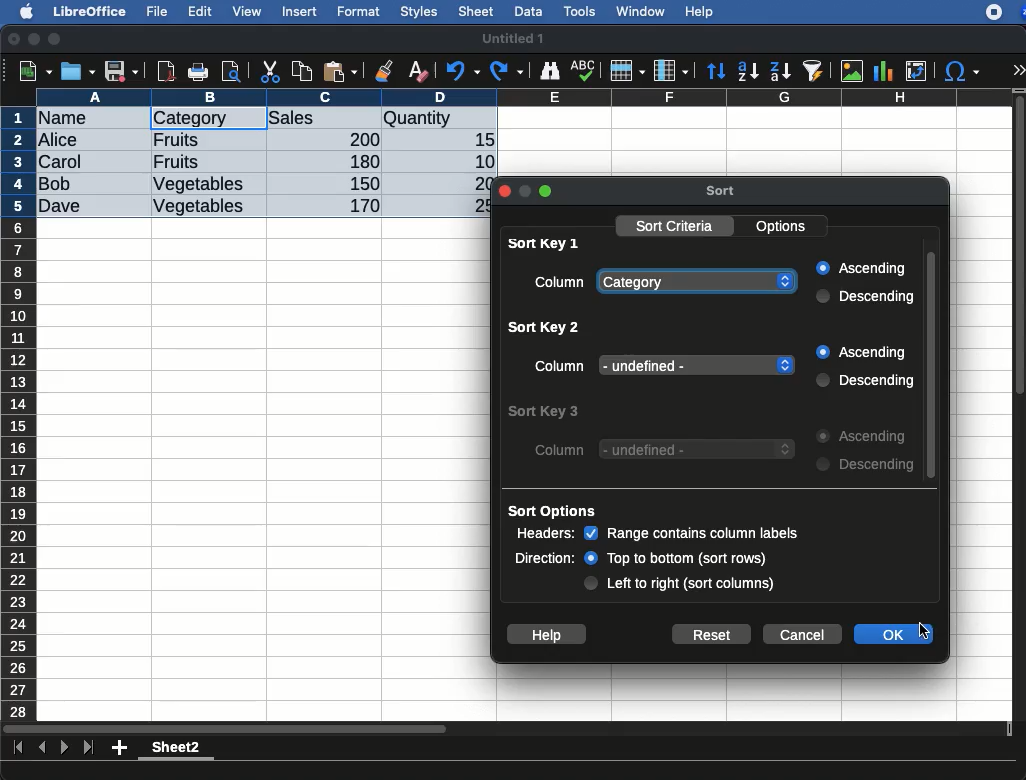 The image size is (1026, 780). What do you see at coordinates (31, 70) in the screenshot?
I see `new` at bounding box center [31, 70].